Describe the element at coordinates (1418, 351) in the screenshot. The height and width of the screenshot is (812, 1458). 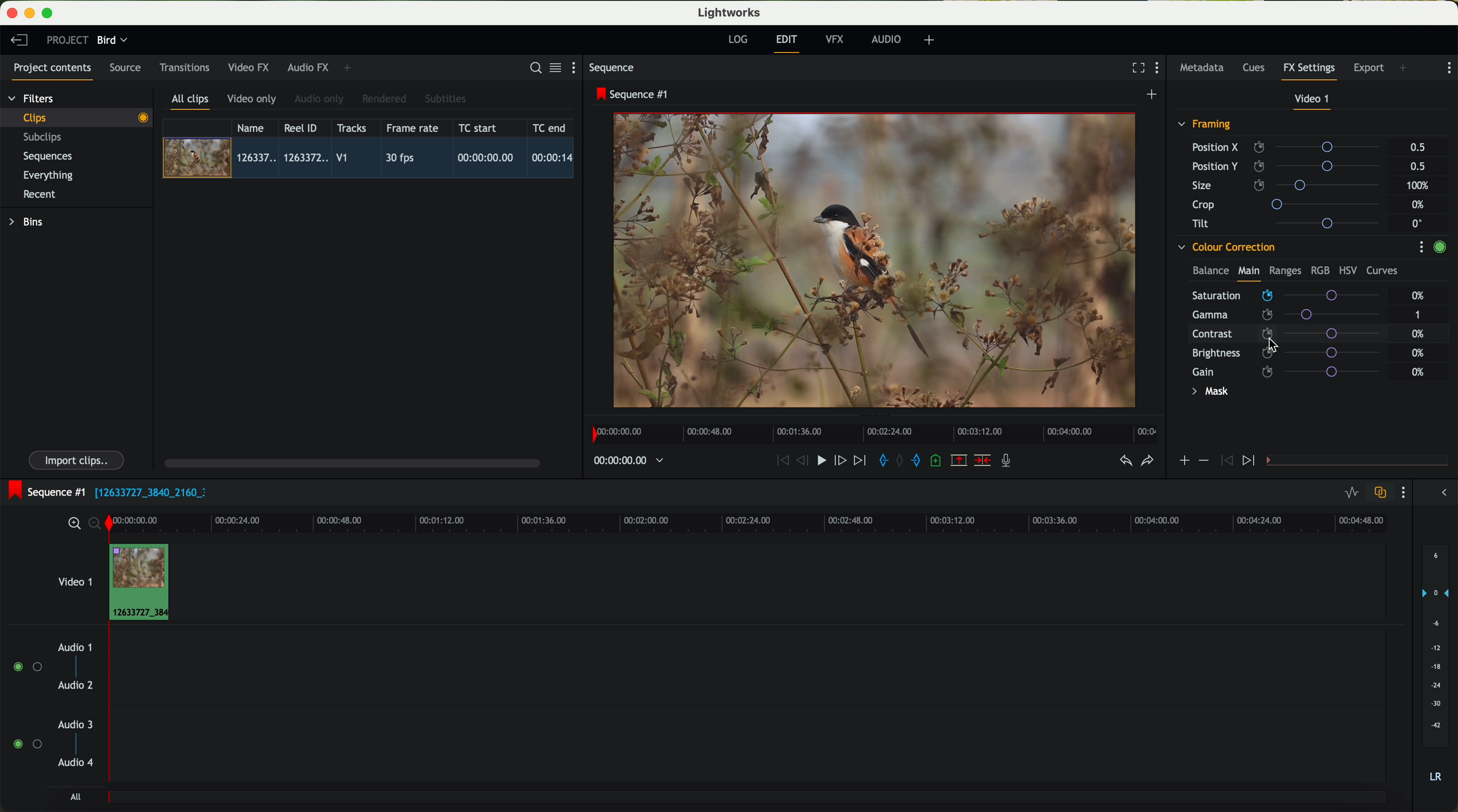
I see `0%` at that location.